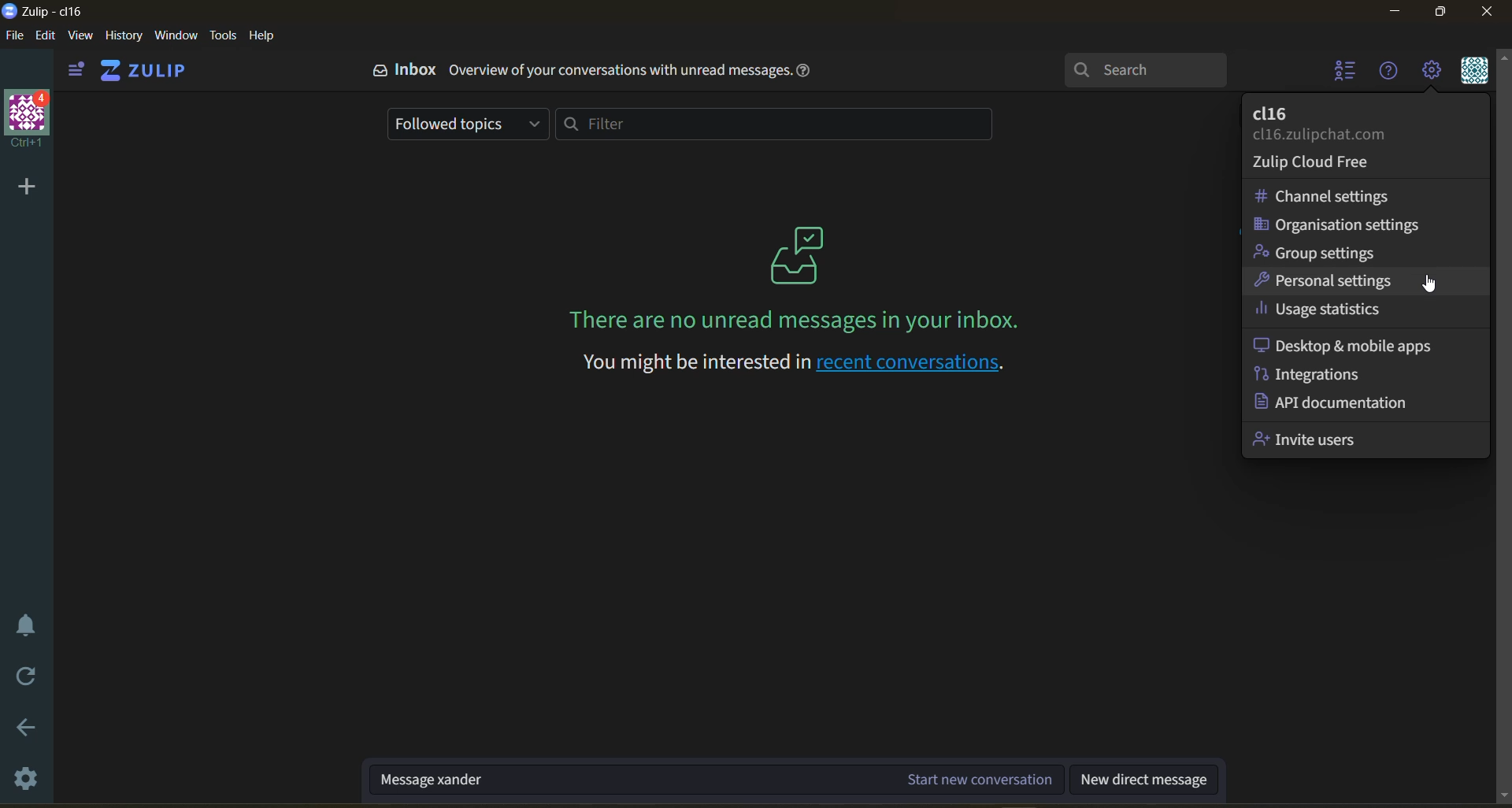  What do you see at coordinates (1335, 124) in the screenshot?
I see `organisation name and email` at bounding box center [1335, 124].